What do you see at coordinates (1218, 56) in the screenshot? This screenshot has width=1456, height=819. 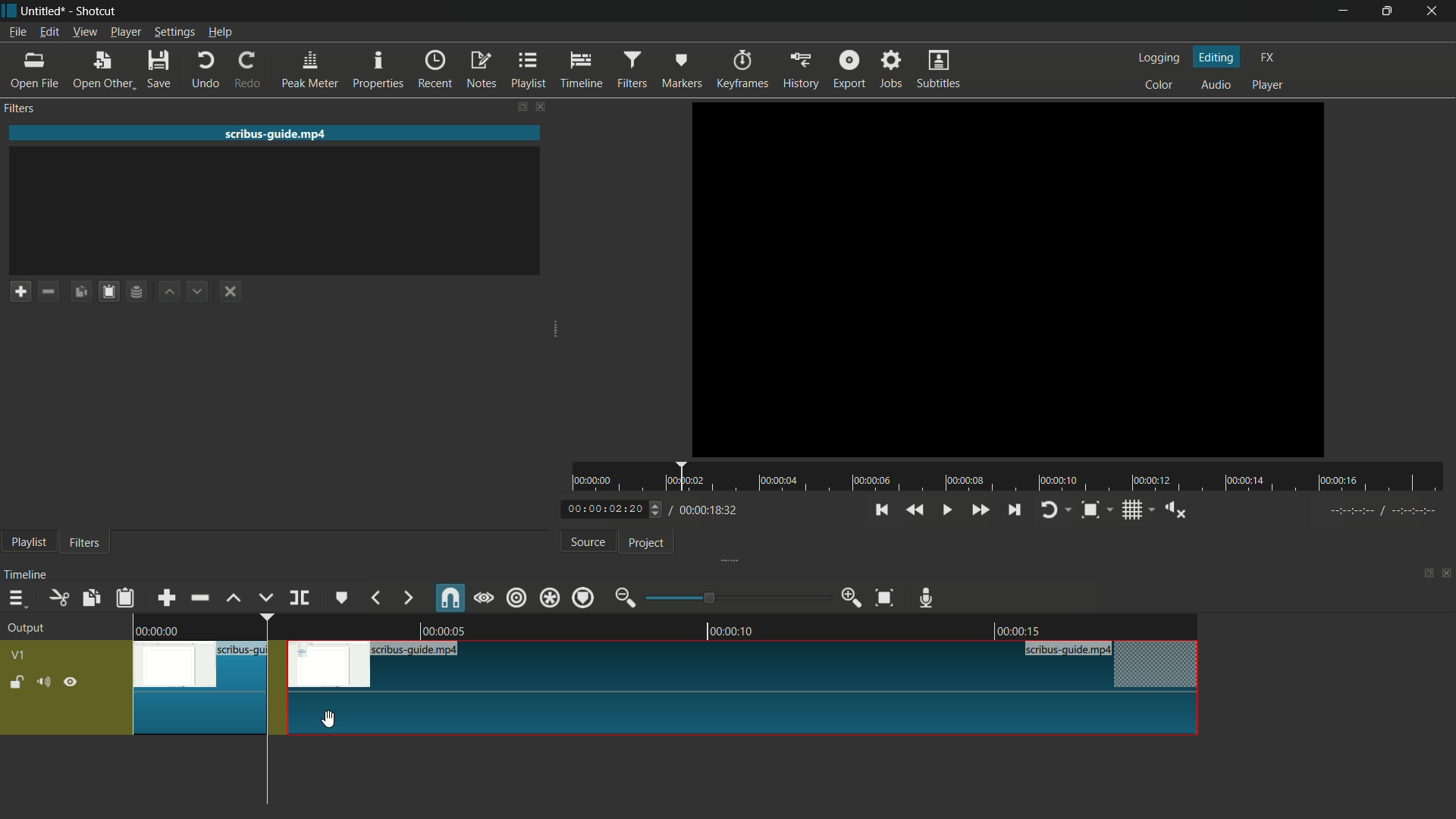 I see `editing` at bounding box center [1218, 56].